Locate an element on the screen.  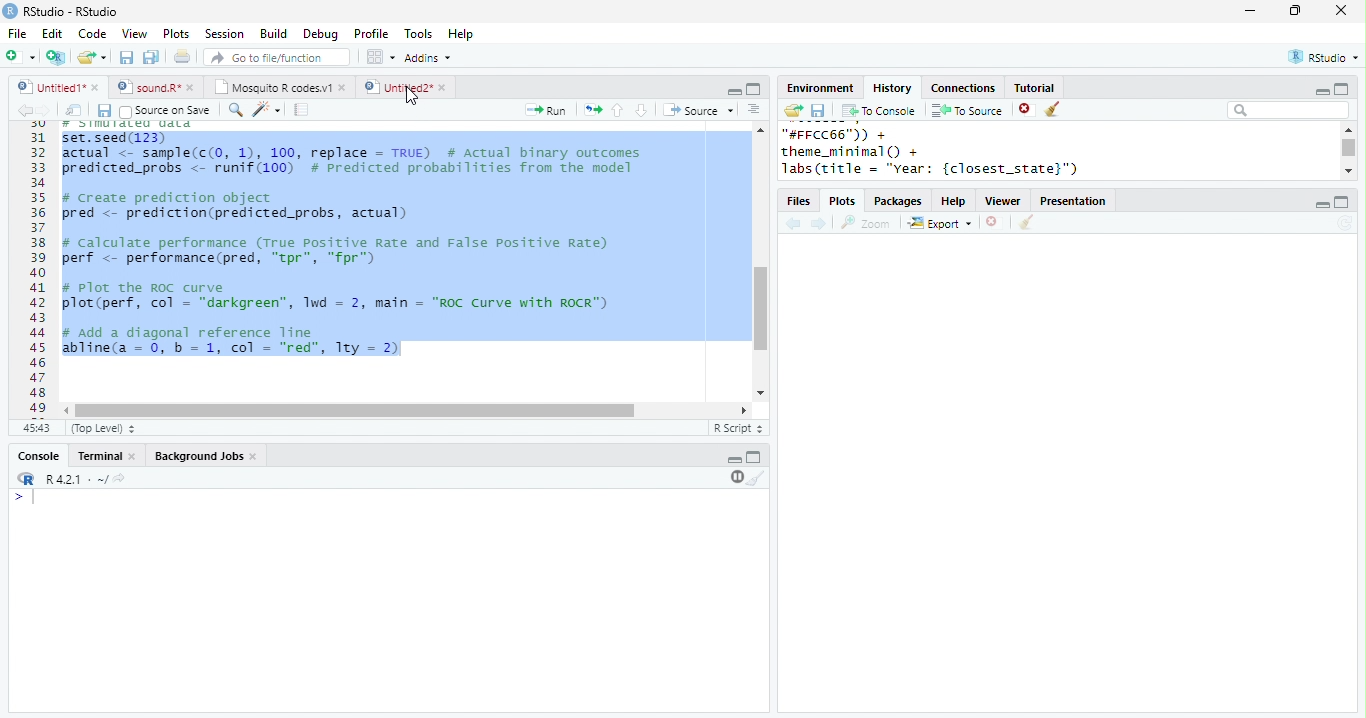
search file is located at coordinates (278, 57).